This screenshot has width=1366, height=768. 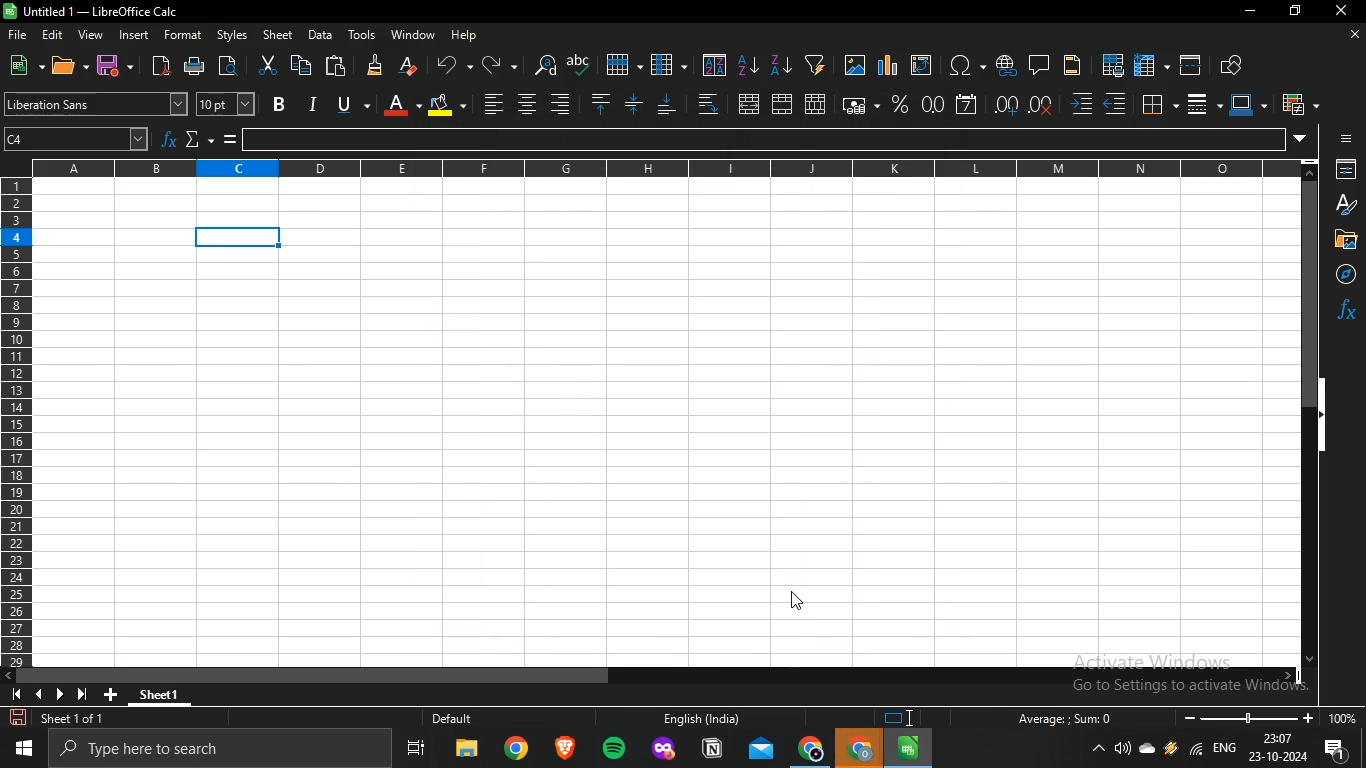 What do you see at coordinates (1191, 64) in the screenshot?
I see `split window` at bounding box center [1191, 64].